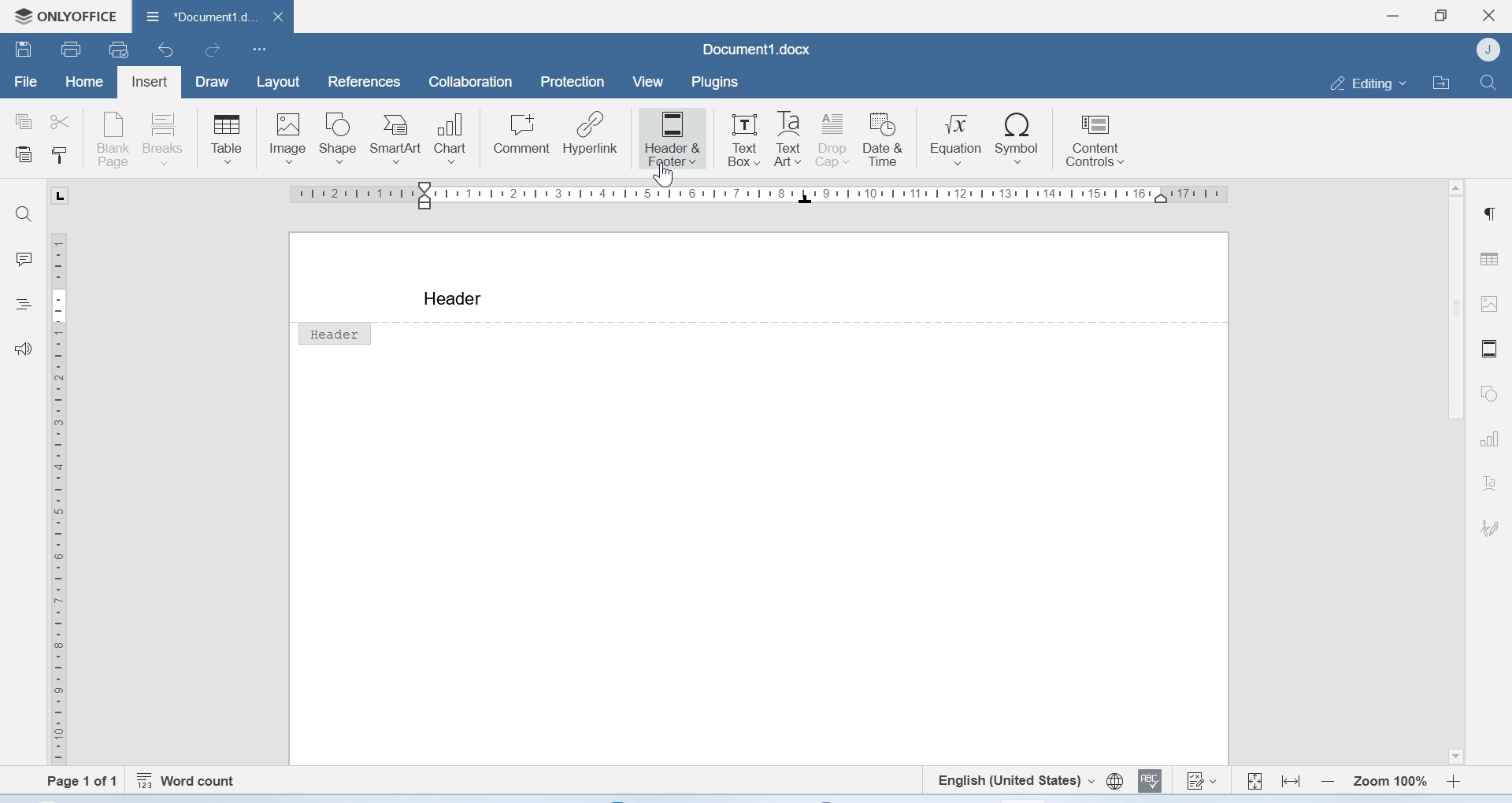 The height and width of the screenshot is (803, 1512). What do you see at coordinates (788, 140) in the screenshot?
I see `Text Art` at bounding box center [788, 140].